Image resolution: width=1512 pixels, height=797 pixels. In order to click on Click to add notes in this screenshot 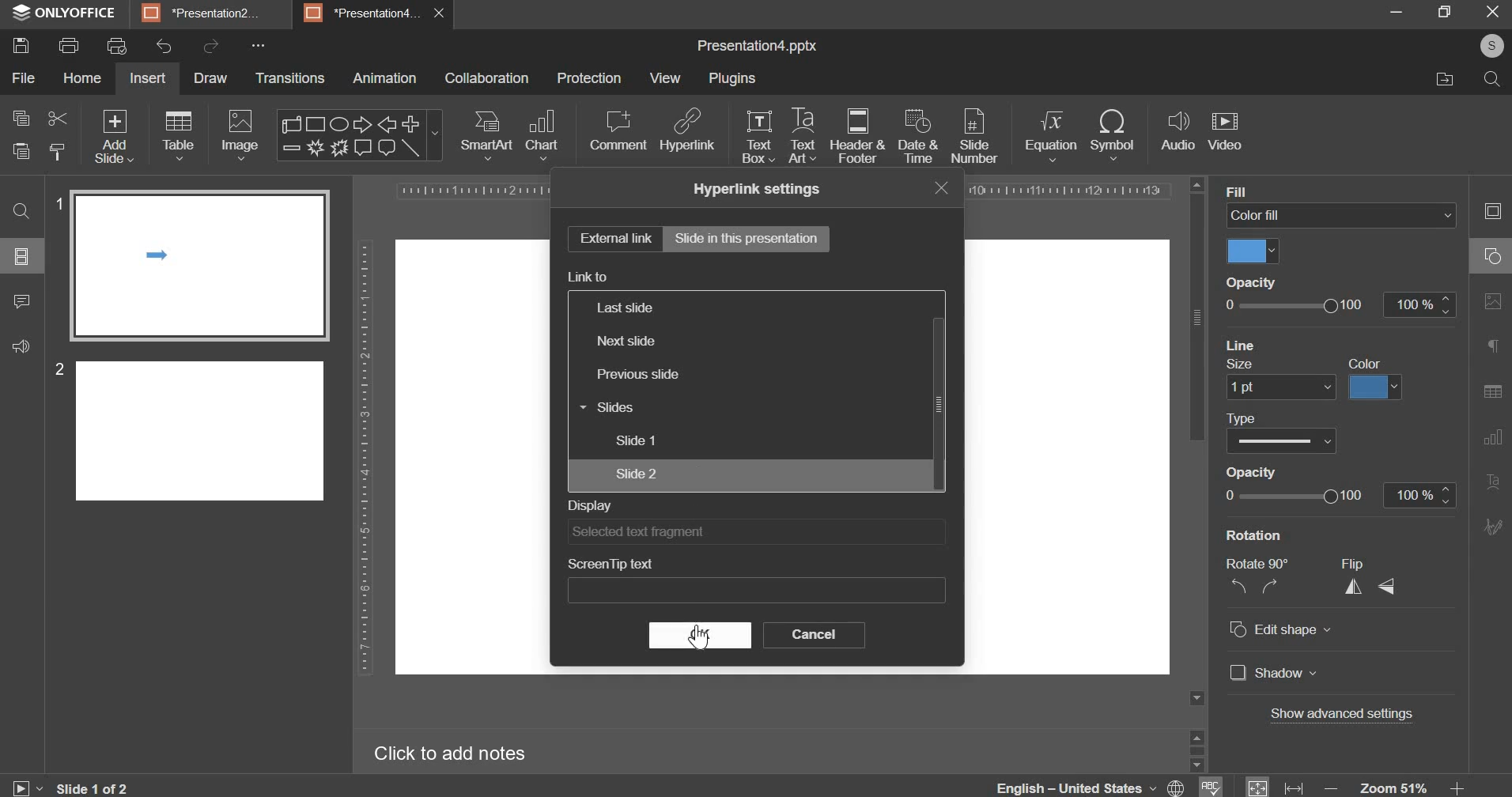, I will do `click(452, 755)`.